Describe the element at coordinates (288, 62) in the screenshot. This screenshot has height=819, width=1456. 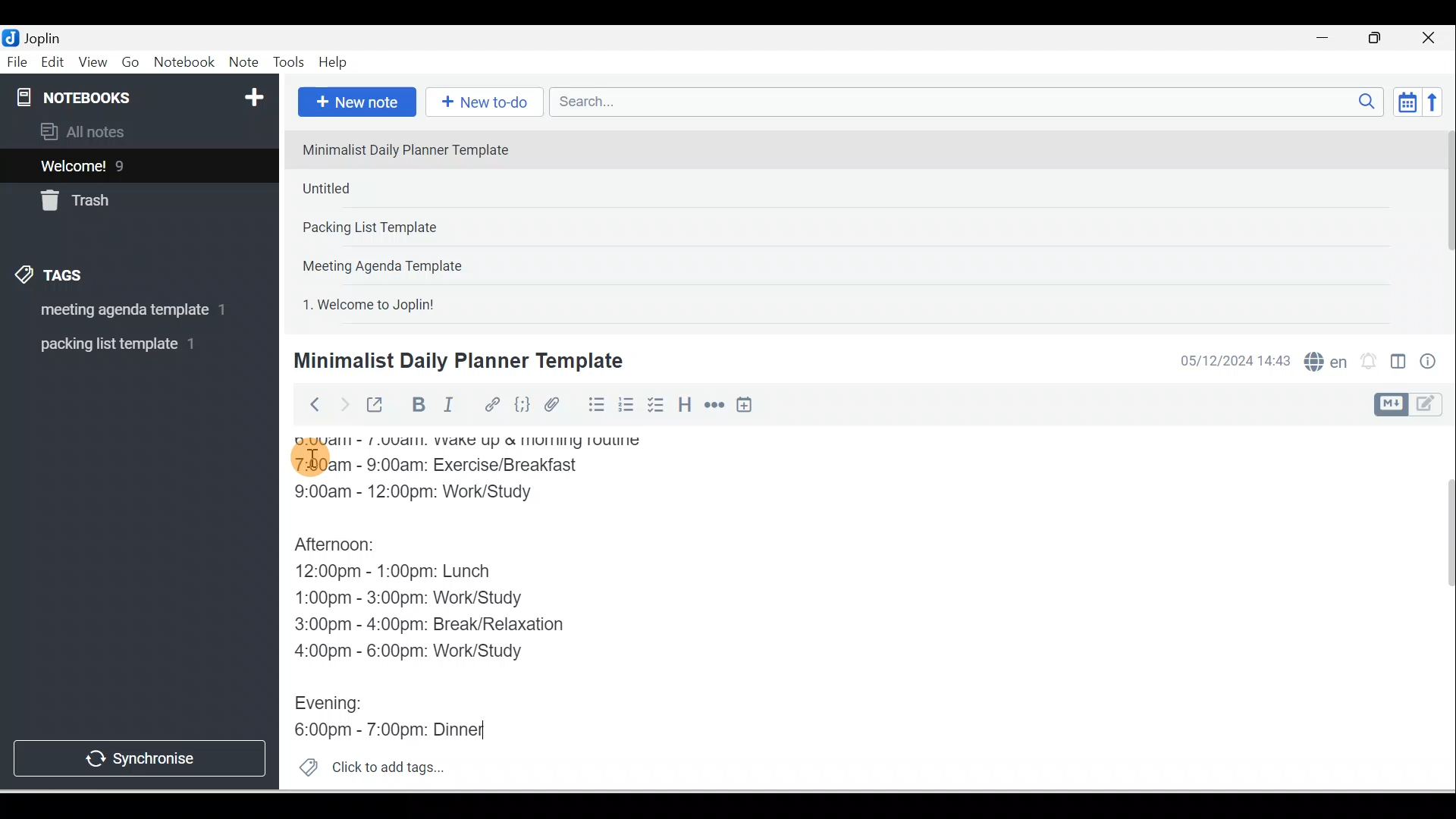
I see `Tools` at that location.